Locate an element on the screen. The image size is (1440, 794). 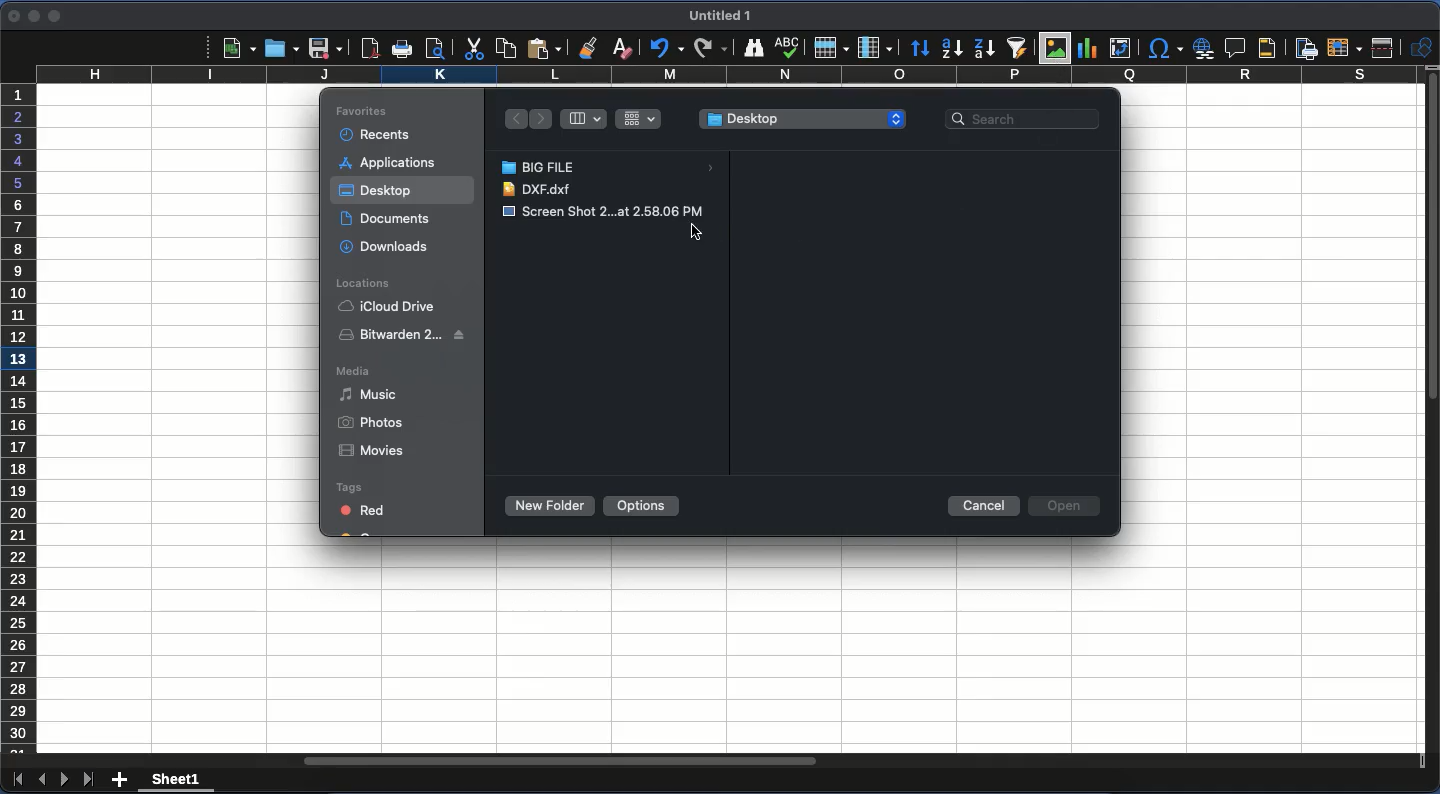
split window is located at coordinates (1385, 49).